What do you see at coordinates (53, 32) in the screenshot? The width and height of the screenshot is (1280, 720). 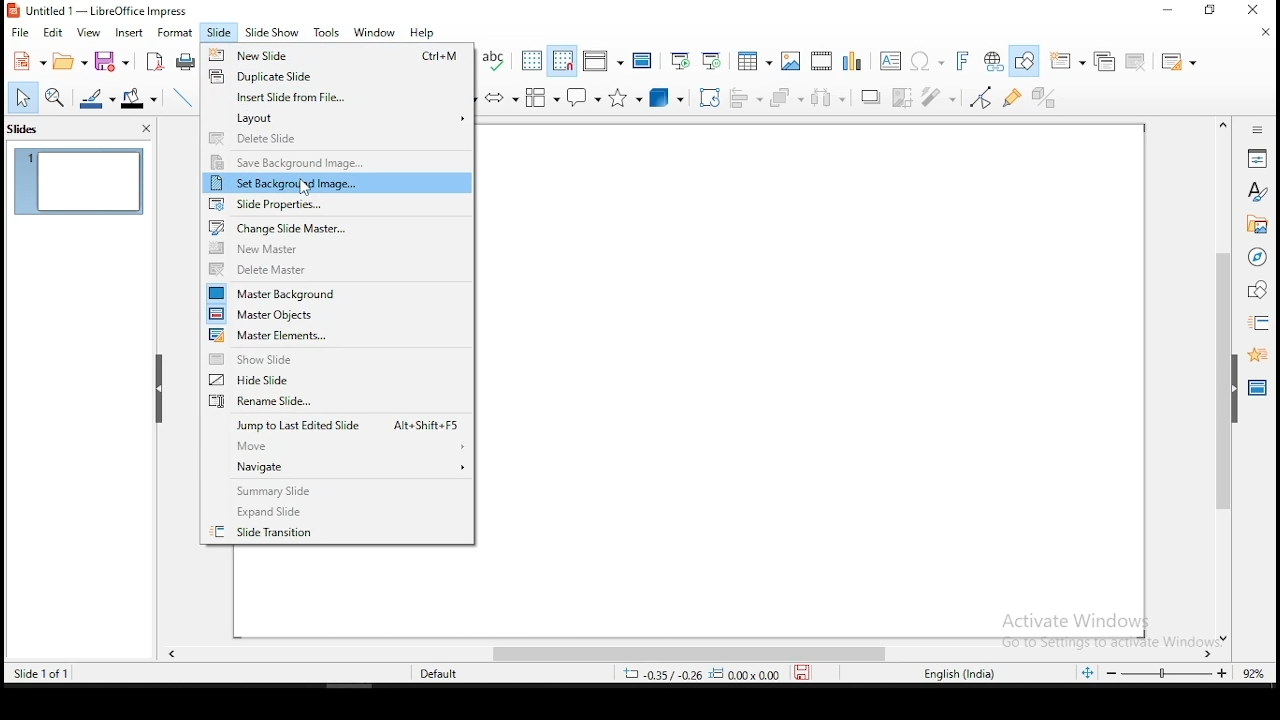 I see `edit` at bounding box center [53, 32].